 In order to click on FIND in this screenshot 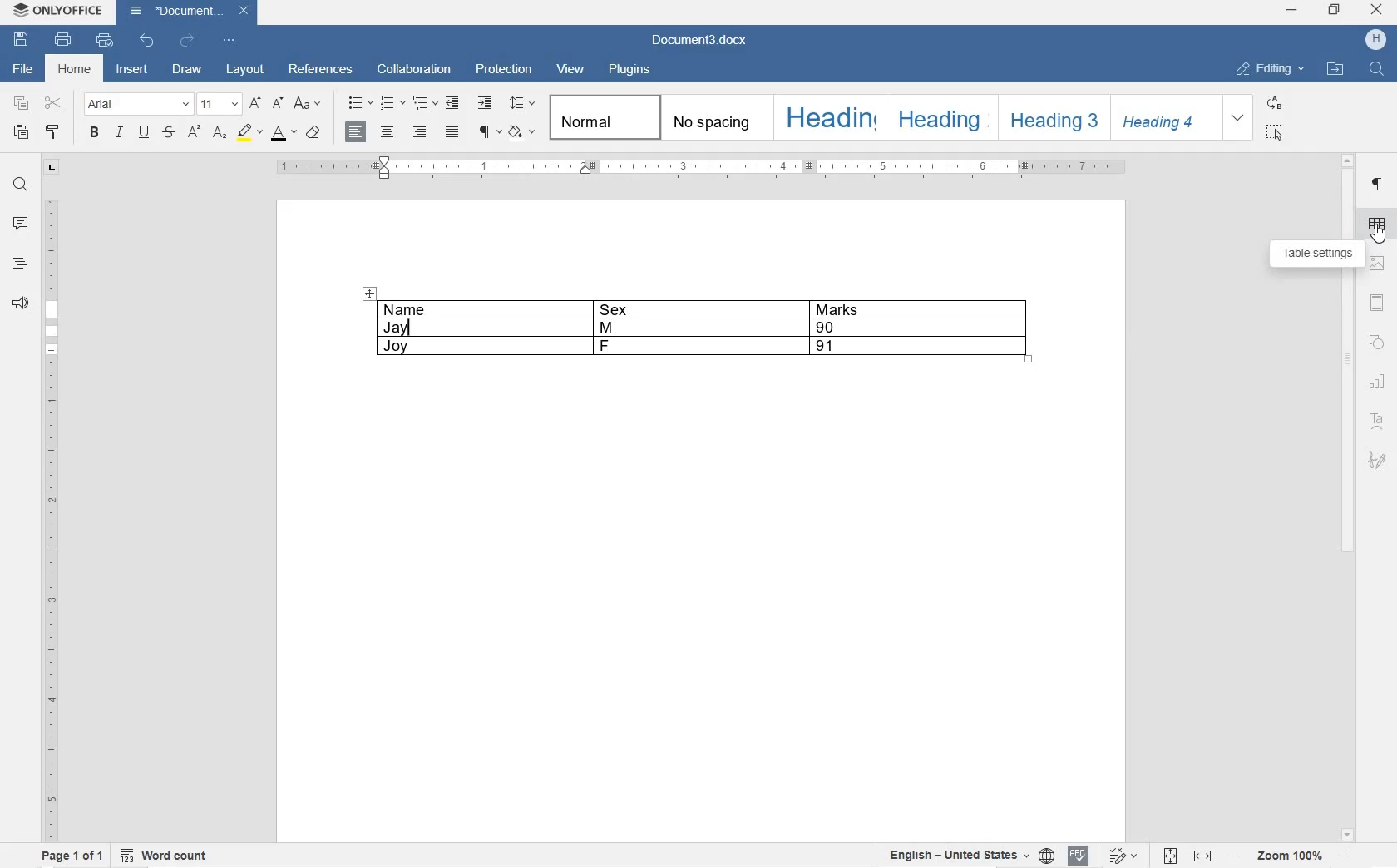, I will do `click(19, 187)`.